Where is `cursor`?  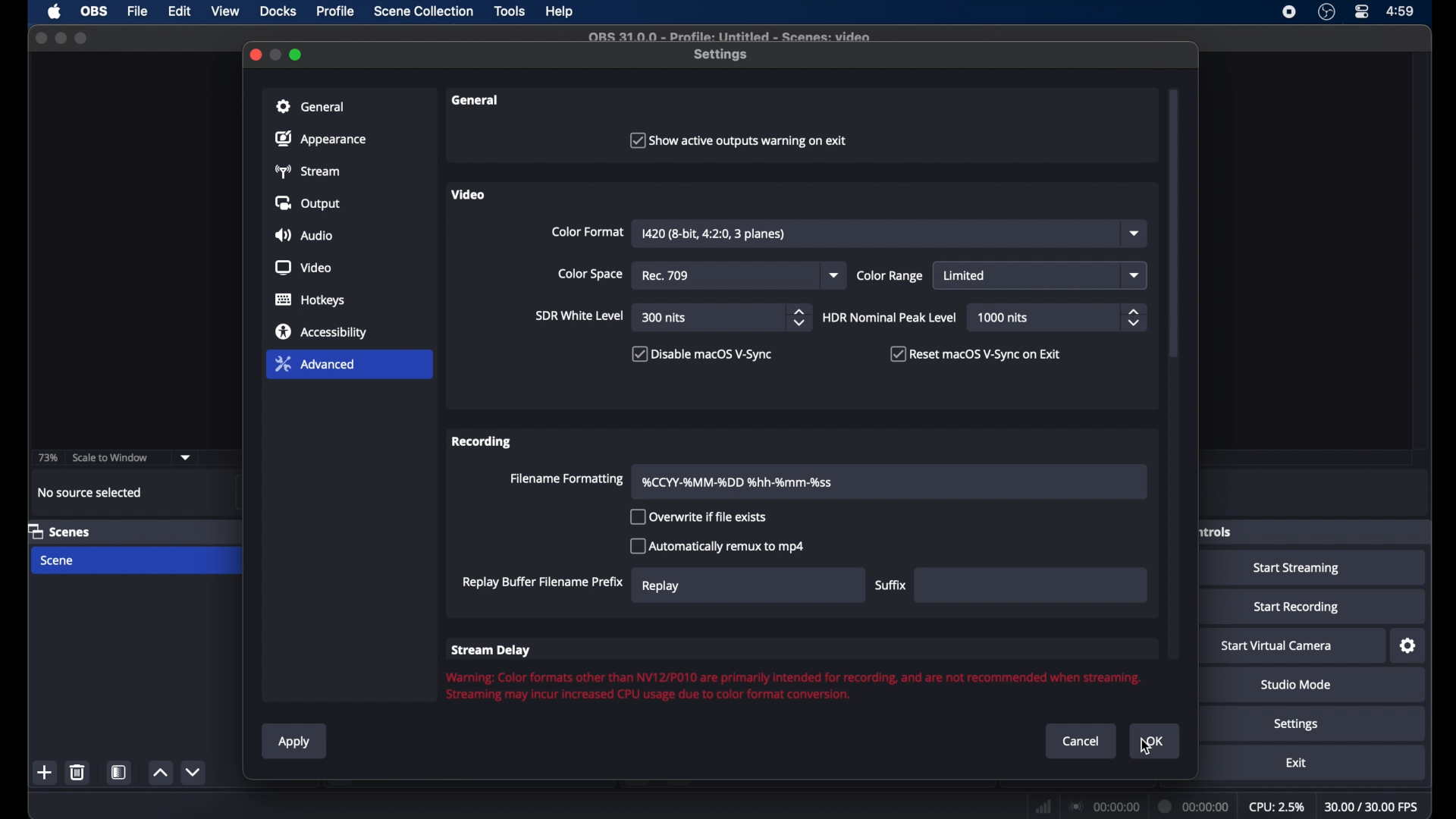 cursor is located at coordinates (1146, 745).